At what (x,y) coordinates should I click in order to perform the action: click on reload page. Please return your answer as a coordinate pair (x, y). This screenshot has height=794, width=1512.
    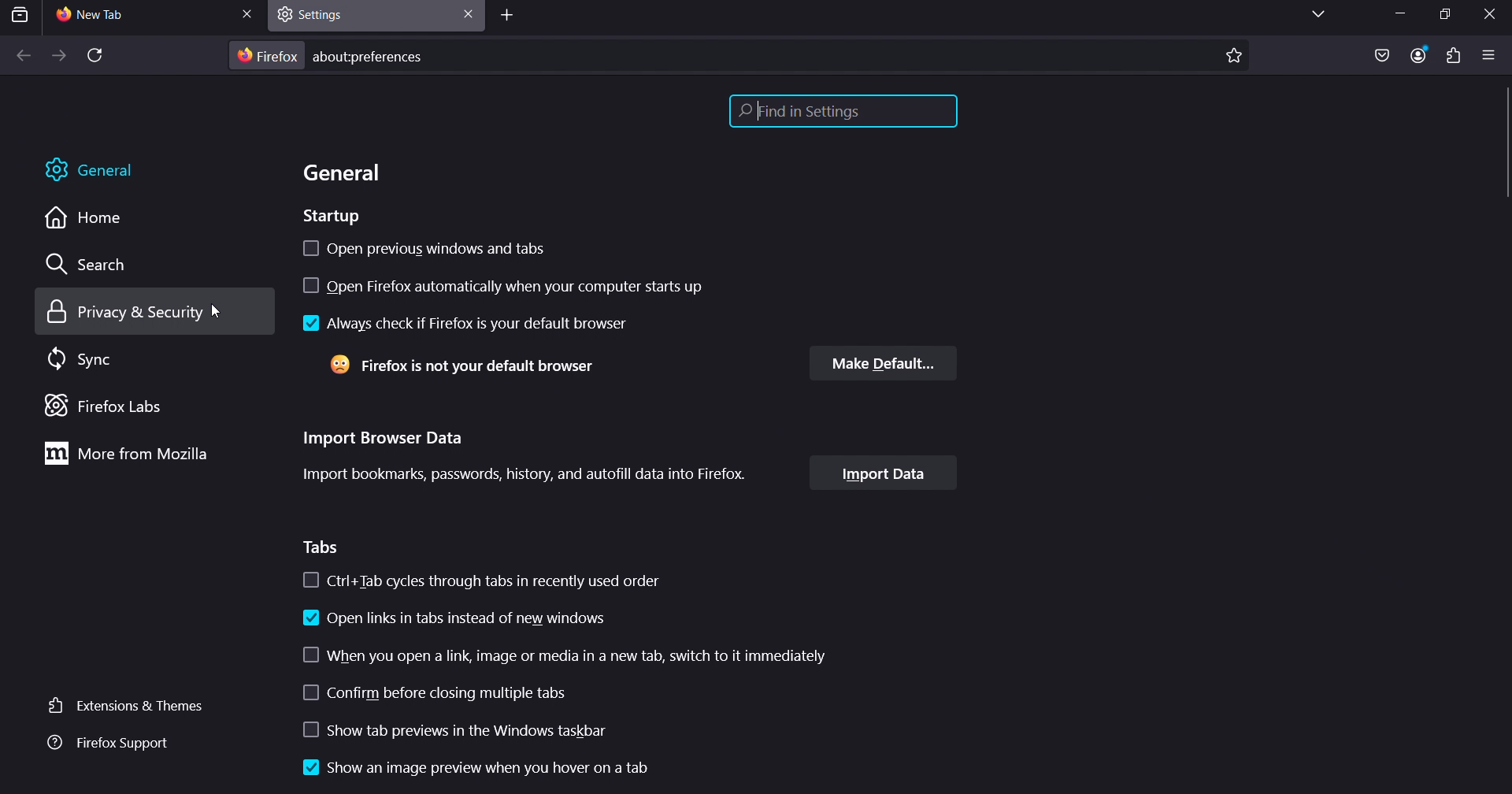
    Looking at the image, I should click on (94, 58).